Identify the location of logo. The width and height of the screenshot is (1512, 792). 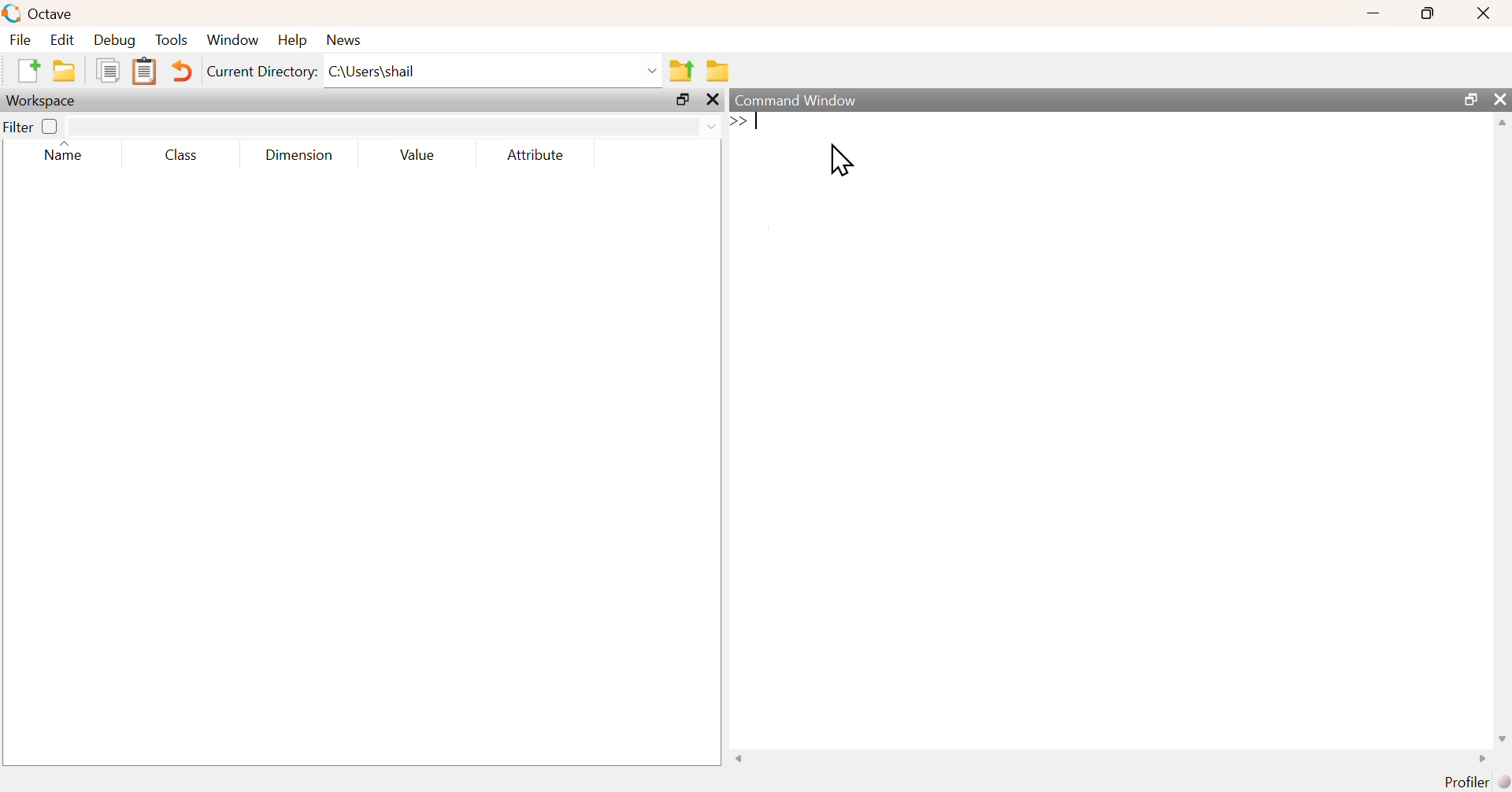
(13, 13).